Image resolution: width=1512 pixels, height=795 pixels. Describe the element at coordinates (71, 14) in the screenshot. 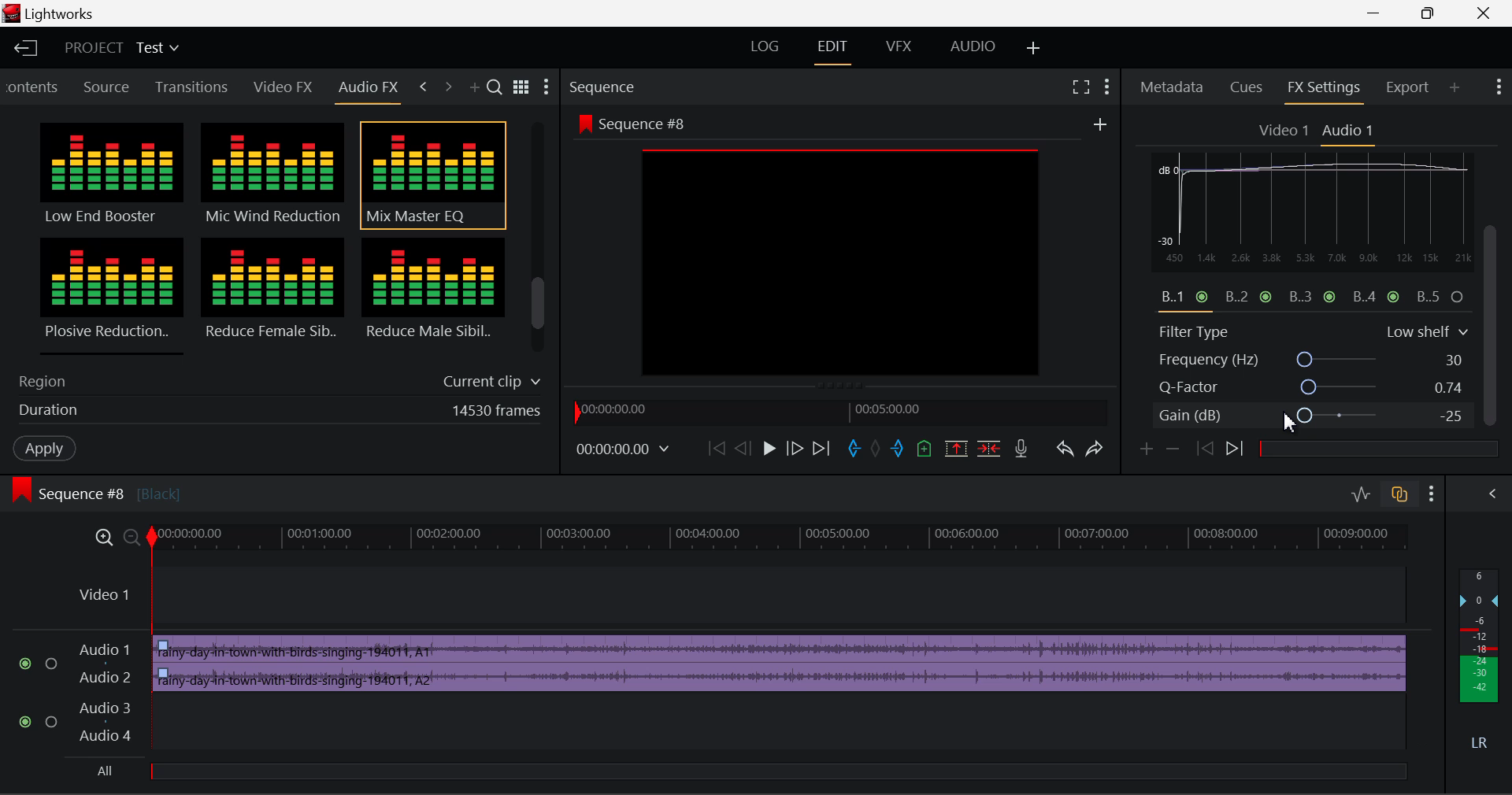

I see `Lightworks` at that location.